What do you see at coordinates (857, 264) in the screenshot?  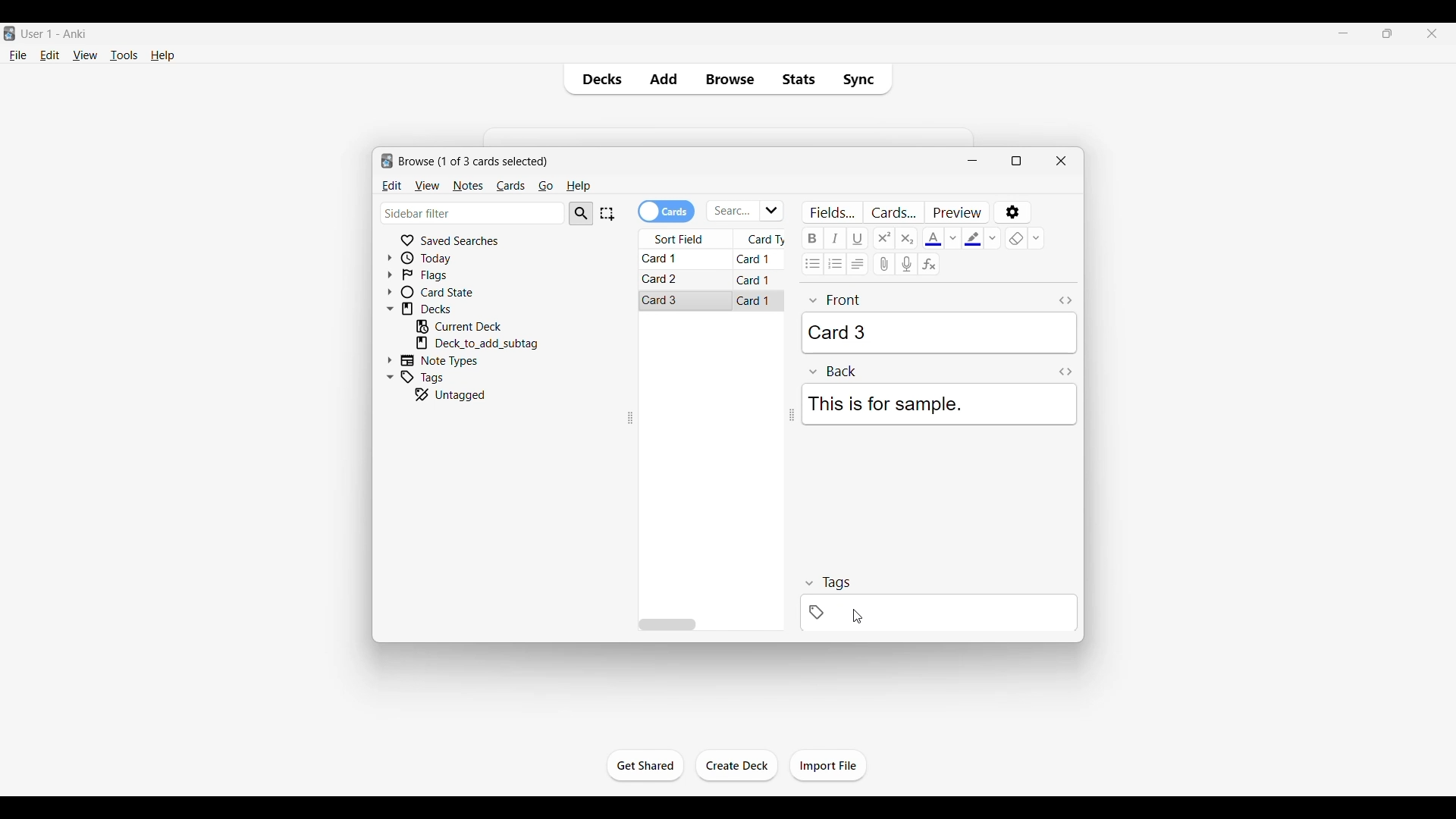 I see `Alignment` at bounding box center [857, 264].